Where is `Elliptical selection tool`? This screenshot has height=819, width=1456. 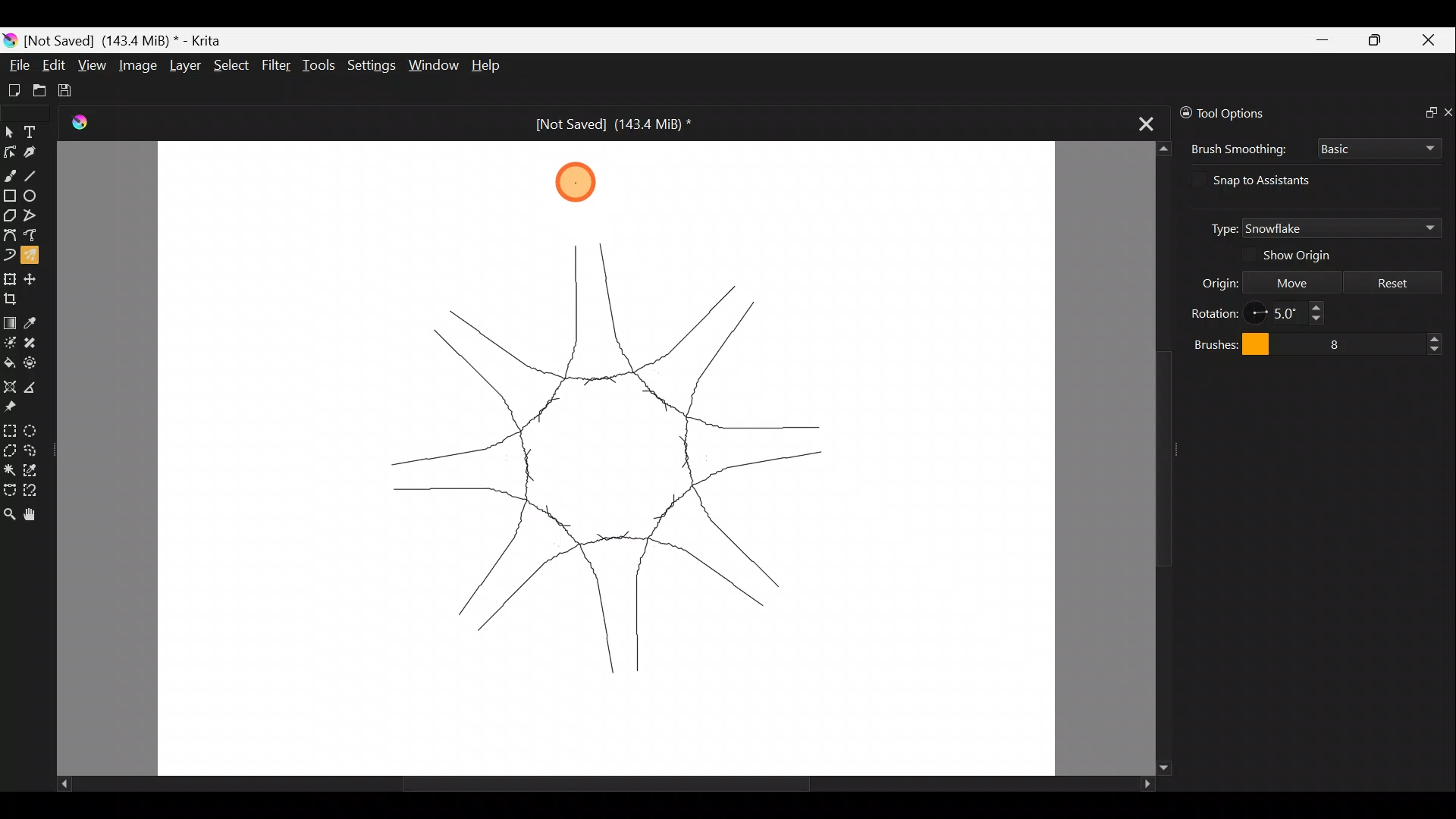
Elliptical selection tool is located at coordinates (35, 428).